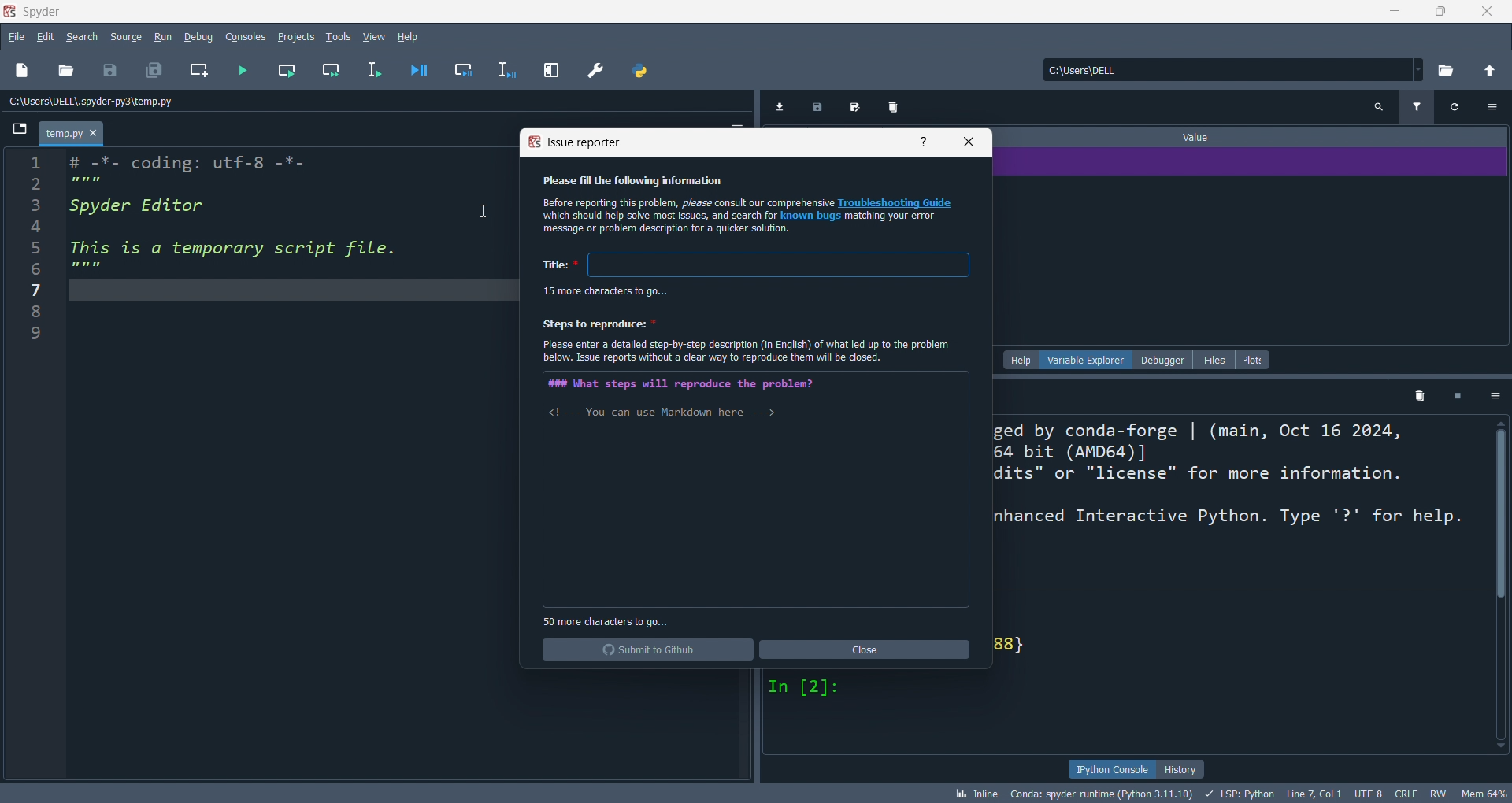 Image resolution: width=1512 pixels, height=803 pixels. Describe the element at coordinates (1225, 793) in the screenshot. I see `bk Inline Conda: spyder-runtime (Python 3.11.10) + LSP: Python Line7, Coll UTF-8 CRLF RW Mem 64%` at that location.